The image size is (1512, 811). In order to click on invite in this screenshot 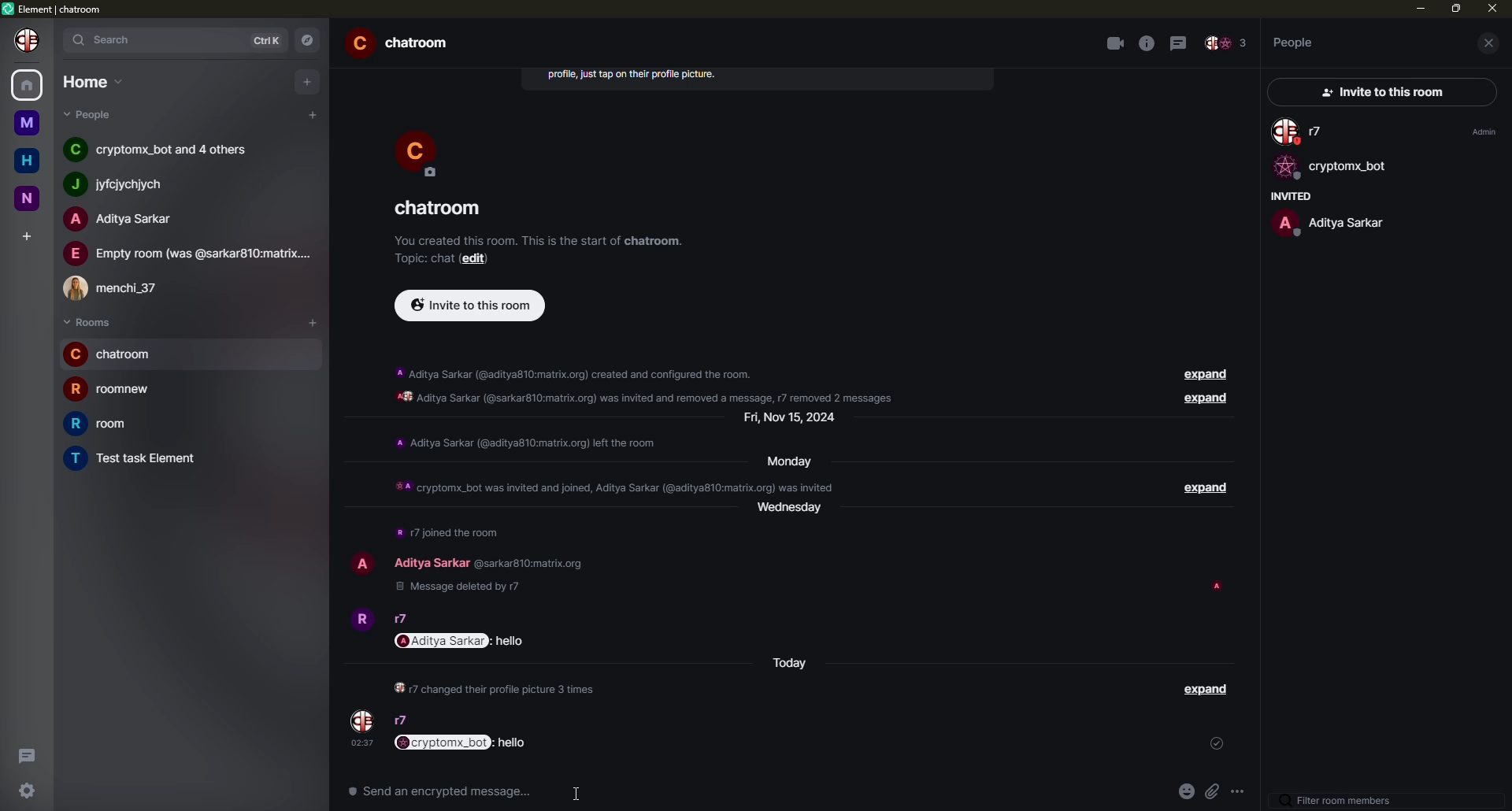, I will do `click(1377, 93)`.